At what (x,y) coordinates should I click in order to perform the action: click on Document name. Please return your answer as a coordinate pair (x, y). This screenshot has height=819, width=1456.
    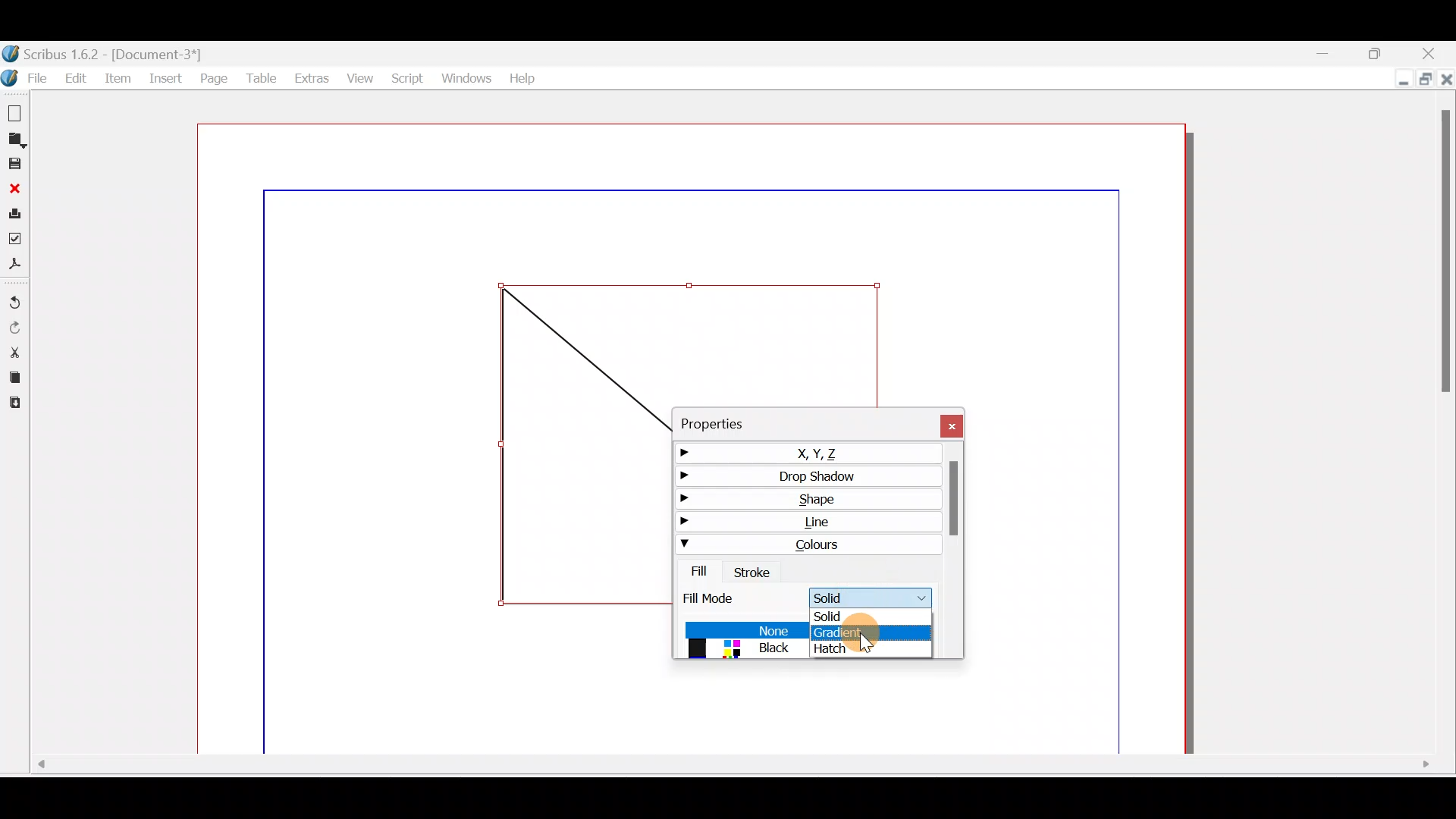
    Looking at the image, I should click on (120, 52).